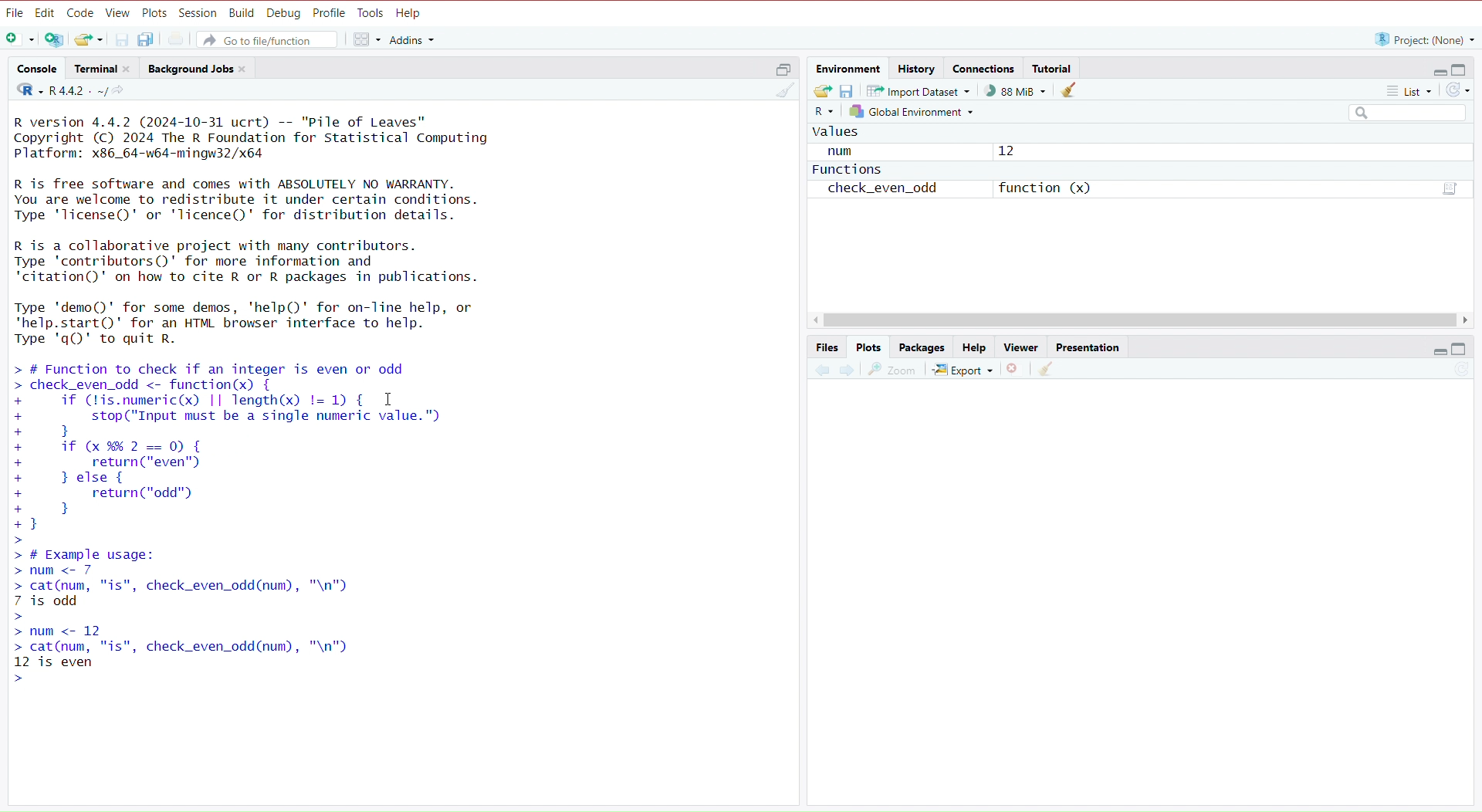 This screenshot has width=1482, height=812. What do you see at coordinates (18, 40) in the screenshot?
I see `new script` at bounding box center [18, 40].